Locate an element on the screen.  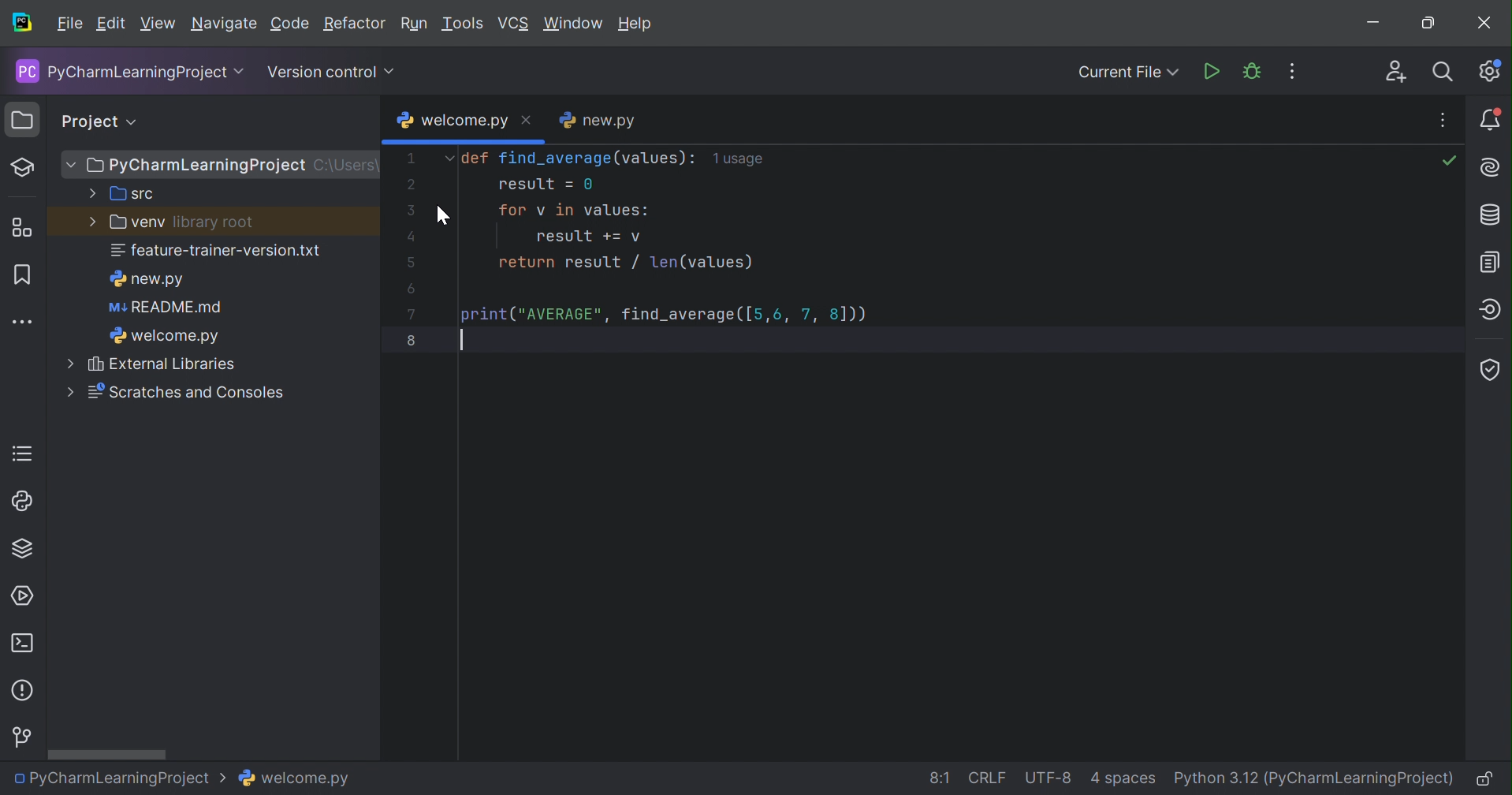
Project icon is located at coordinates (19, 118).